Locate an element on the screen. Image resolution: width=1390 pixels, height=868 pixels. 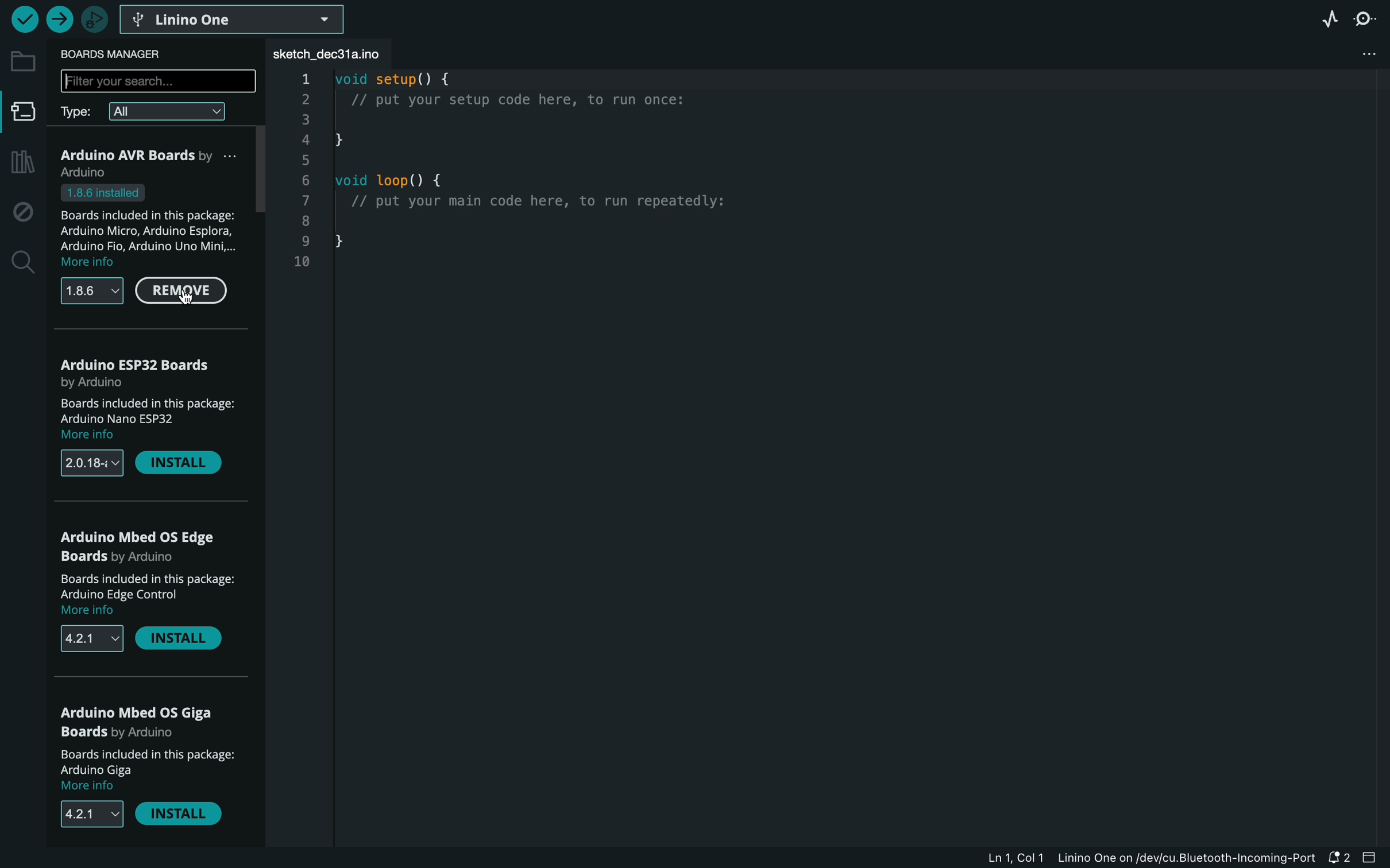
versions is located at coordinates (88, 641).